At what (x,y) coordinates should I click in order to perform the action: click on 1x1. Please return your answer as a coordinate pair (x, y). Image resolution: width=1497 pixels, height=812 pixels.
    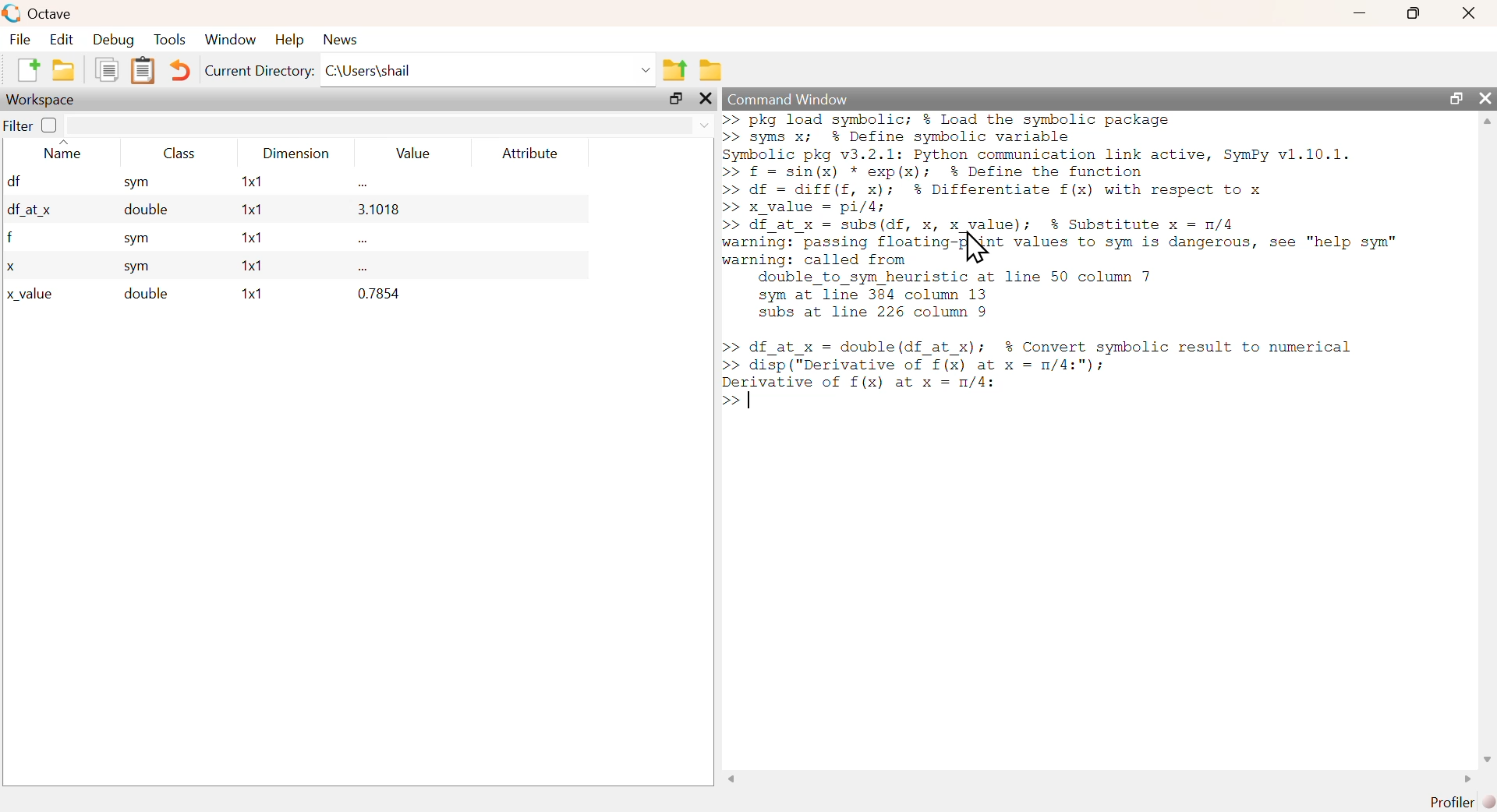
    Looking at the image, I should click on (248, 267).